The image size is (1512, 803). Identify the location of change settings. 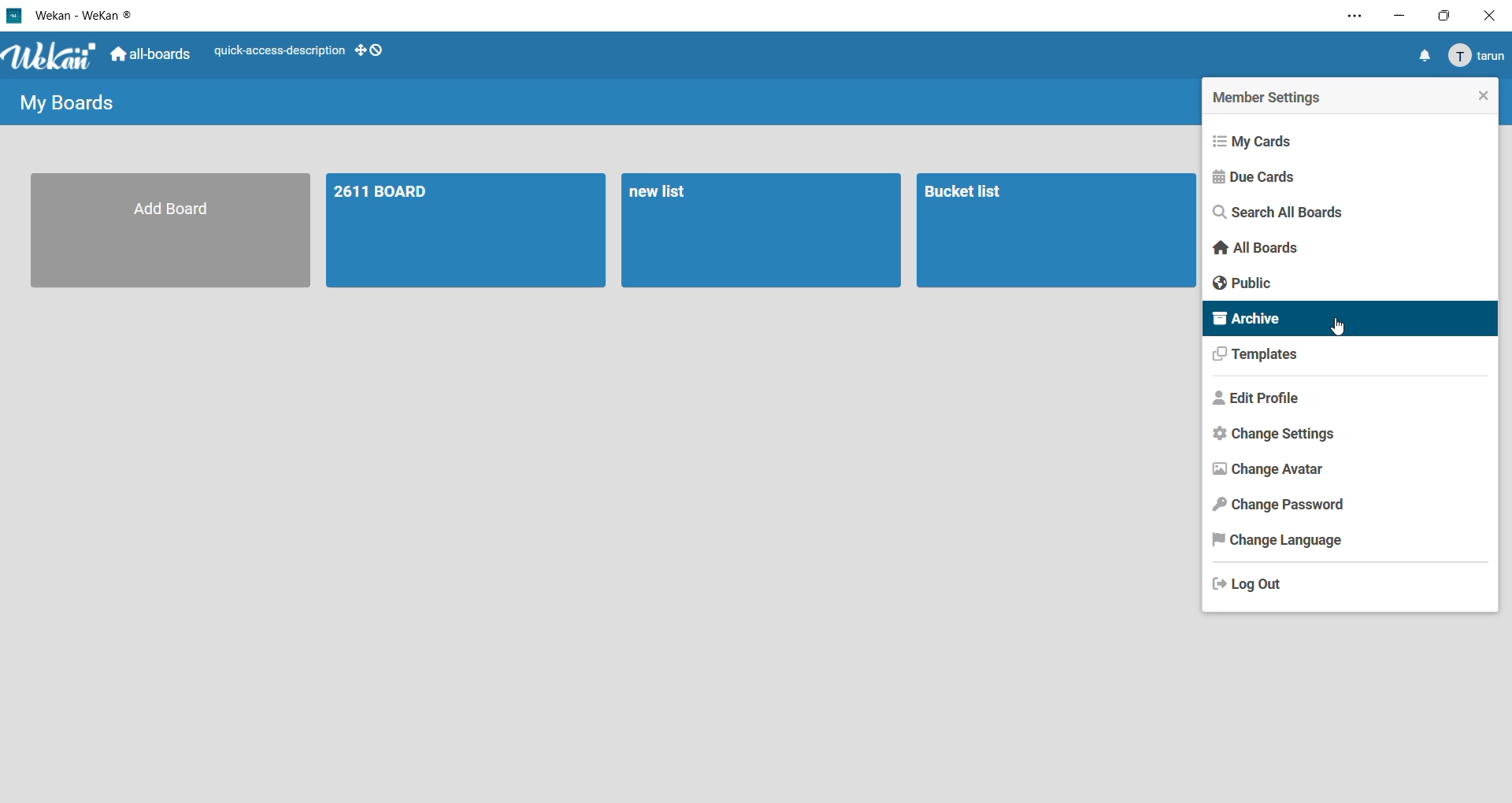
(1266, 436).